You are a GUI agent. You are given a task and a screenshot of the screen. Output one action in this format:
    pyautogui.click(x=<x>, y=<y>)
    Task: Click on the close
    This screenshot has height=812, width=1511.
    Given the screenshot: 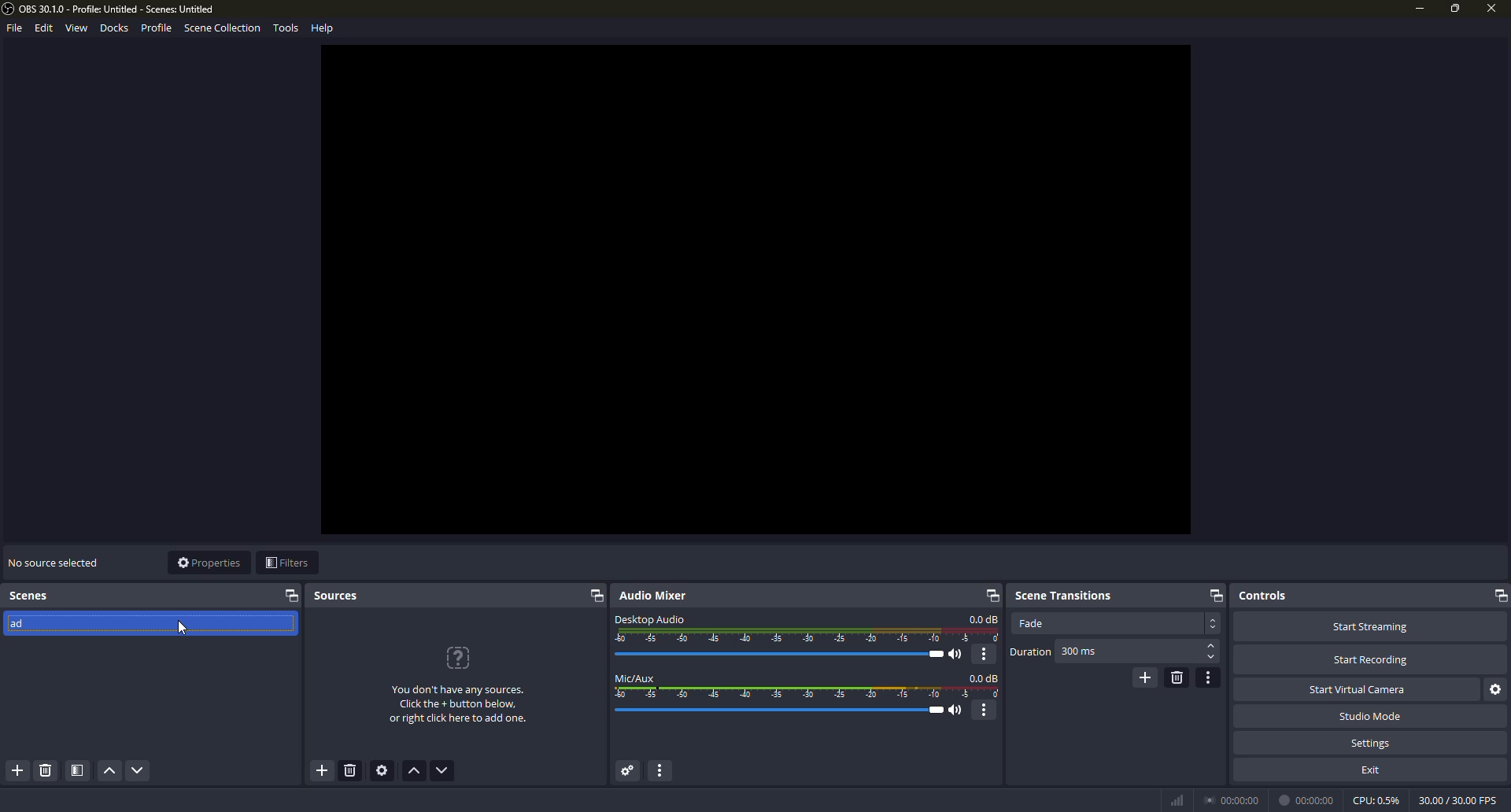 What is the action you would take?
    pyautogui.click(x=1489, y=10)
    